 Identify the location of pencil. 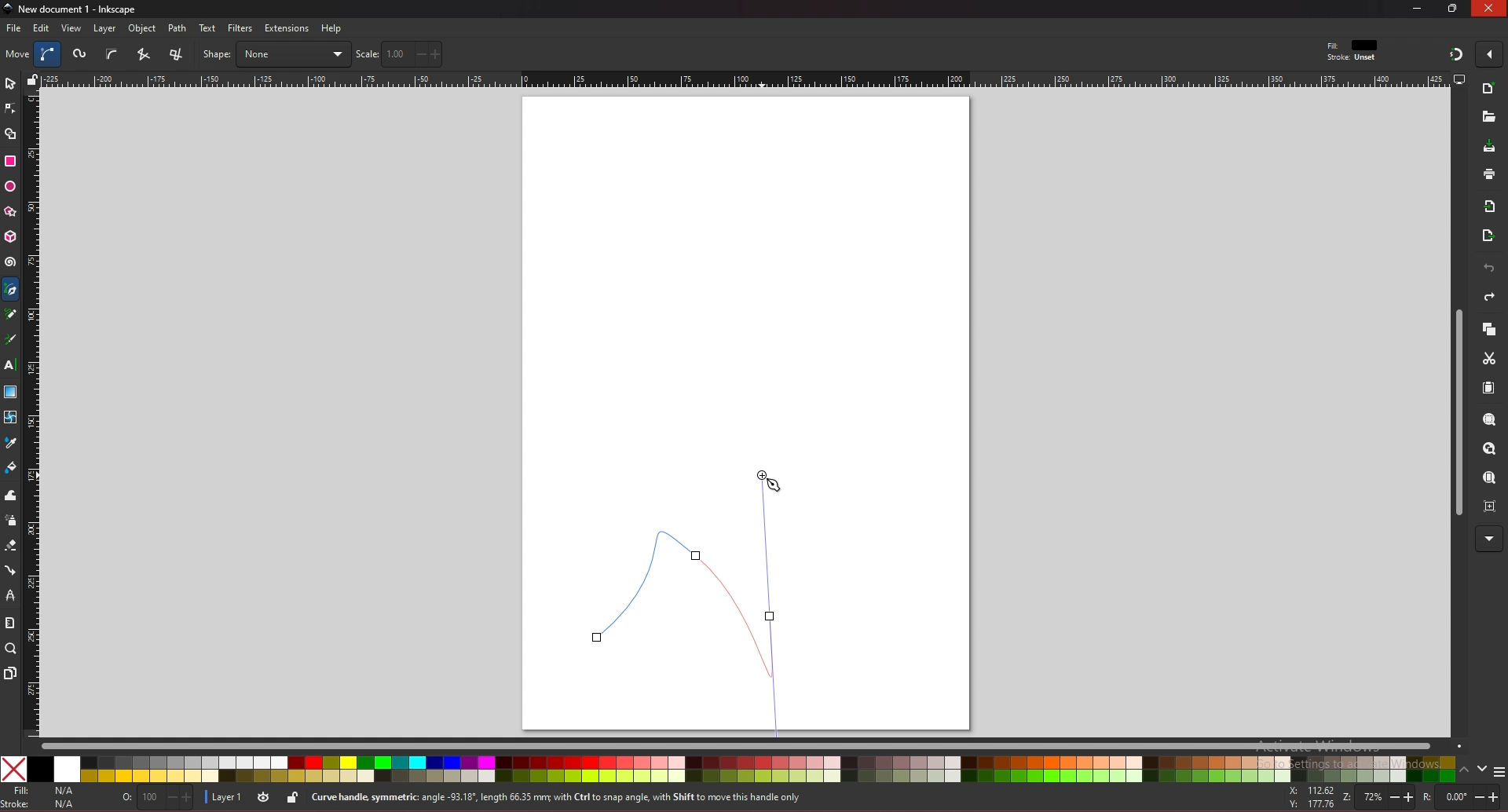
(15, 315).